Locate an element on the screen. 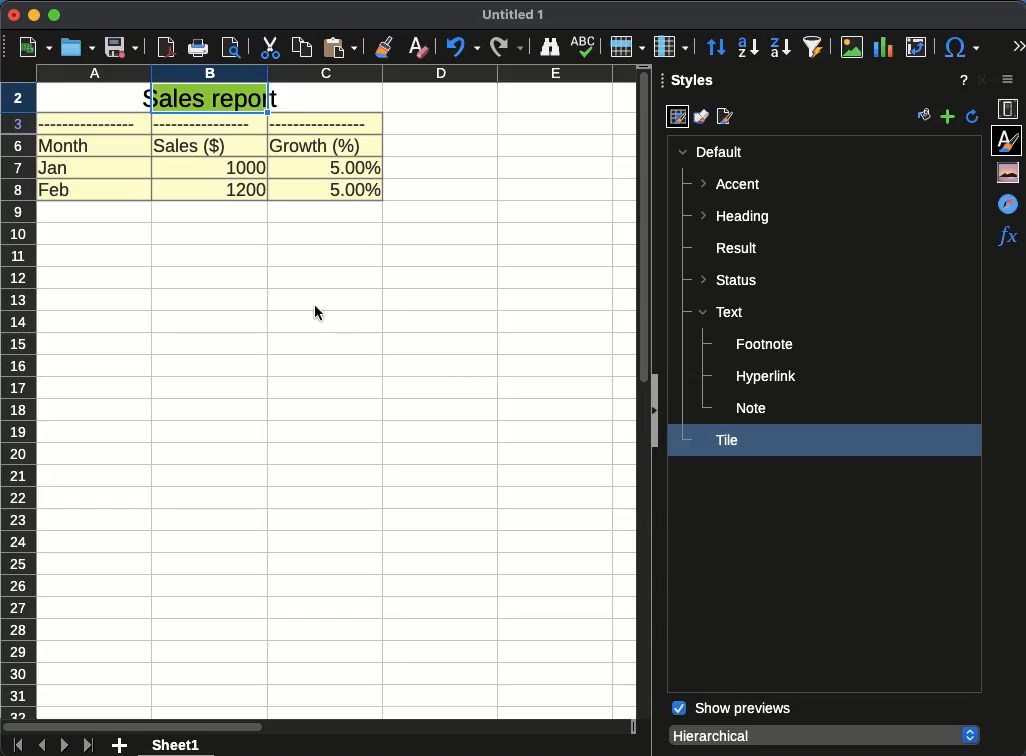  redo is located at coordinates (507, 48).